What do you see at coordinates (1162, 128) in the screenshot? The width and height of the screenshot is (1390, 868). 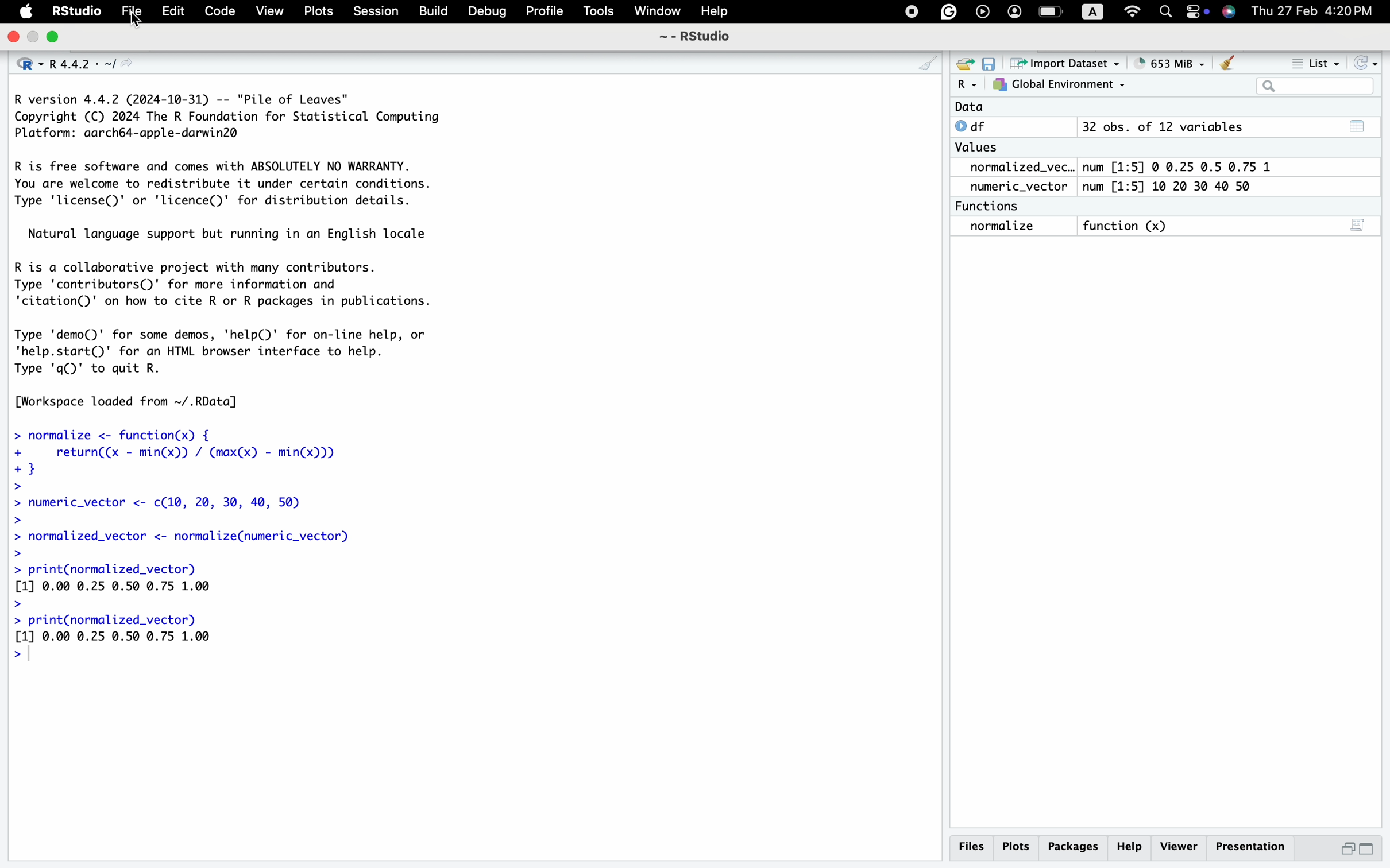 I see `32 obs. of 12 variables` at bounding box center [1162, 128].